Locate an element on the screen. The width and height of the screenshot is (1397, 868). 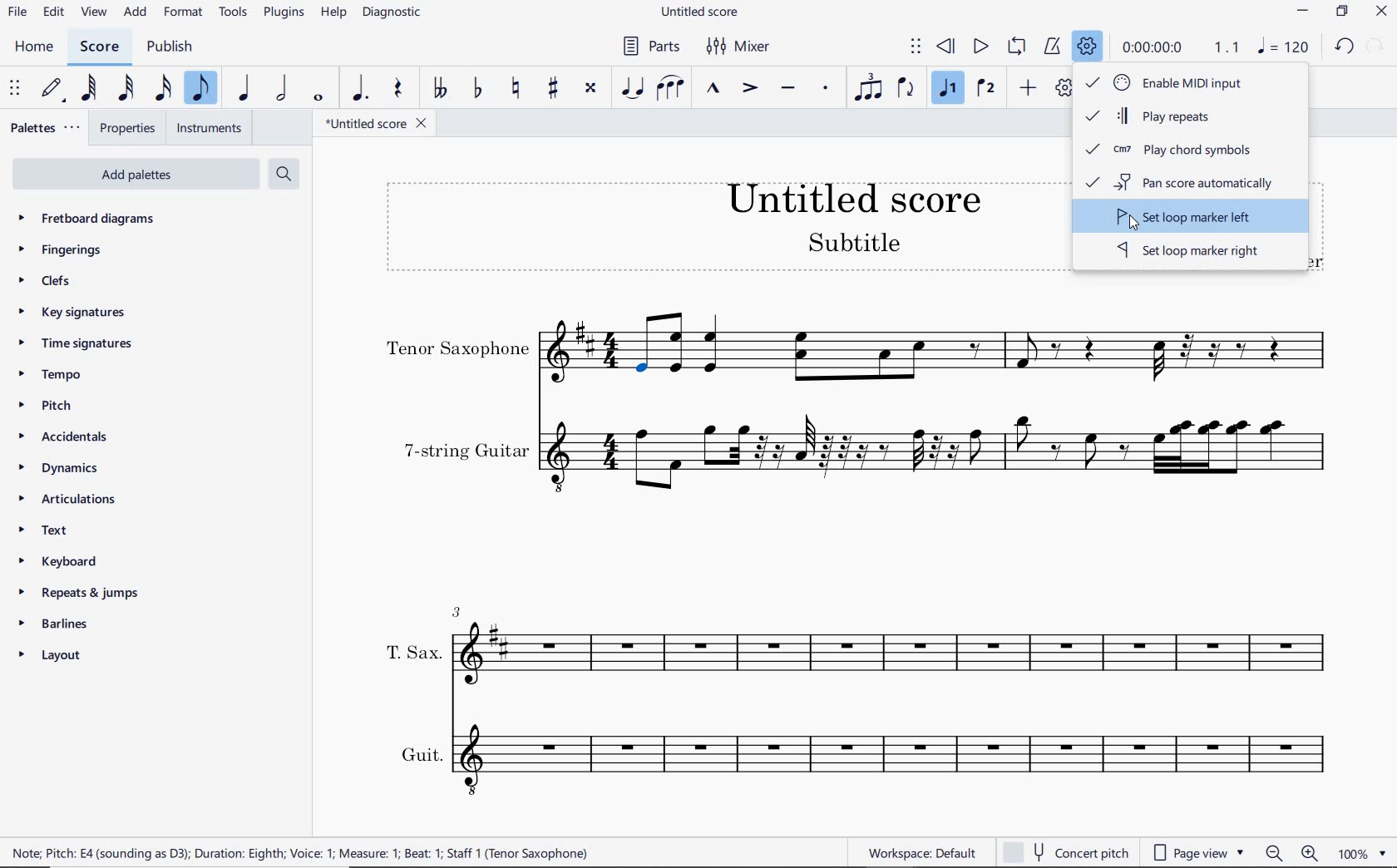
set loop marker left is located at coordinates (1182, 219).